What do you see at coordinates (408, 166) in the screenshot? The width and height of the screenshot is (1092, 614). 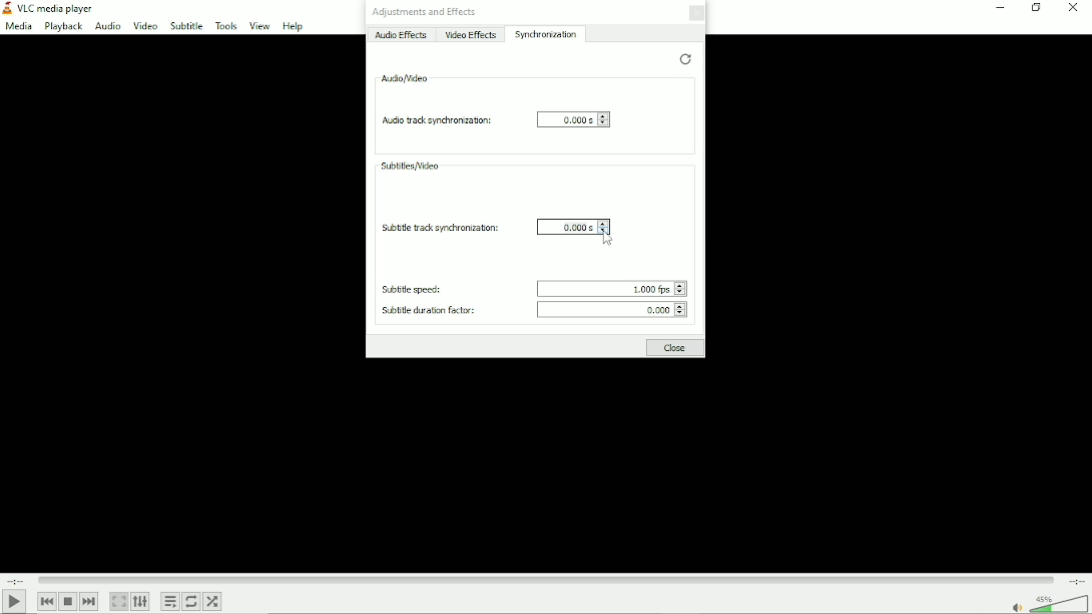 I see `Subtitles/video` at bounding box center [408, 166].